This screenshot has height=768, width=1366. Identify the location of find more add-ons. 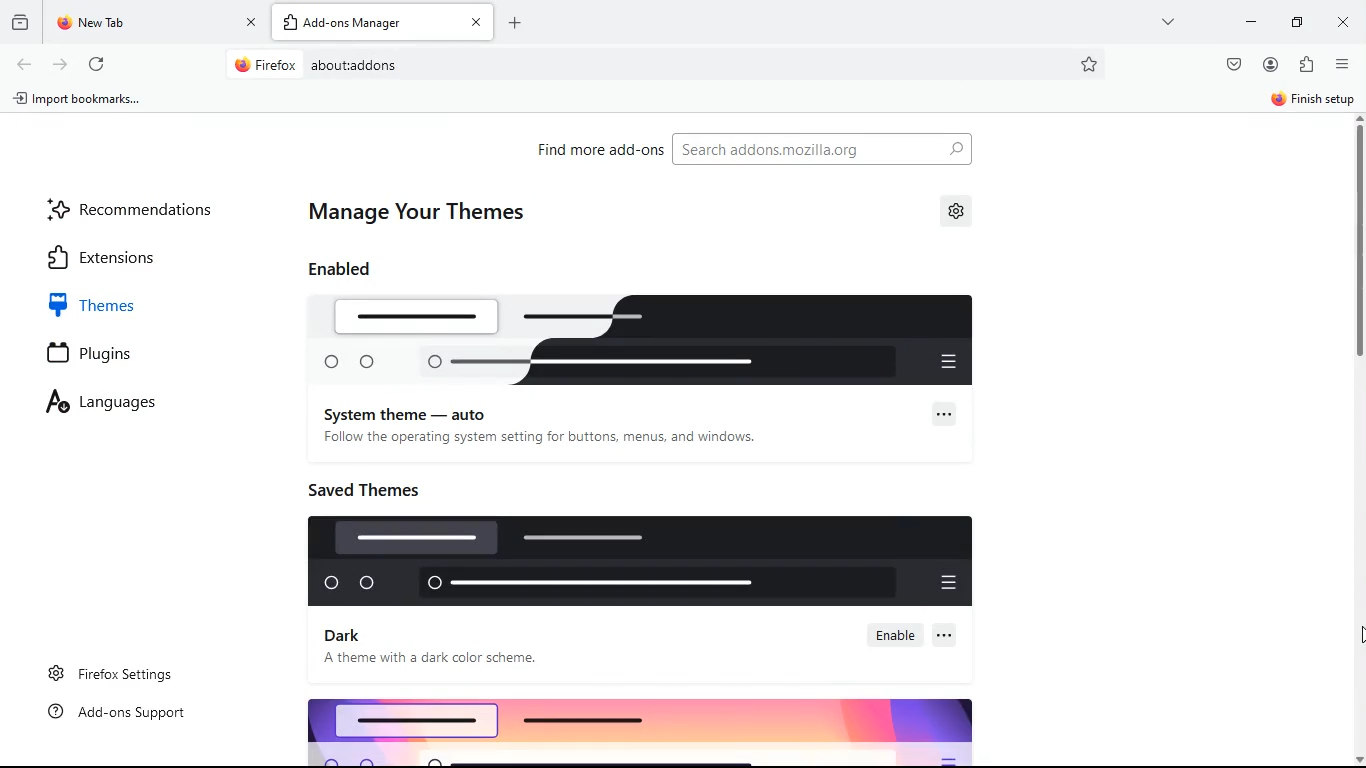
(593, 149).